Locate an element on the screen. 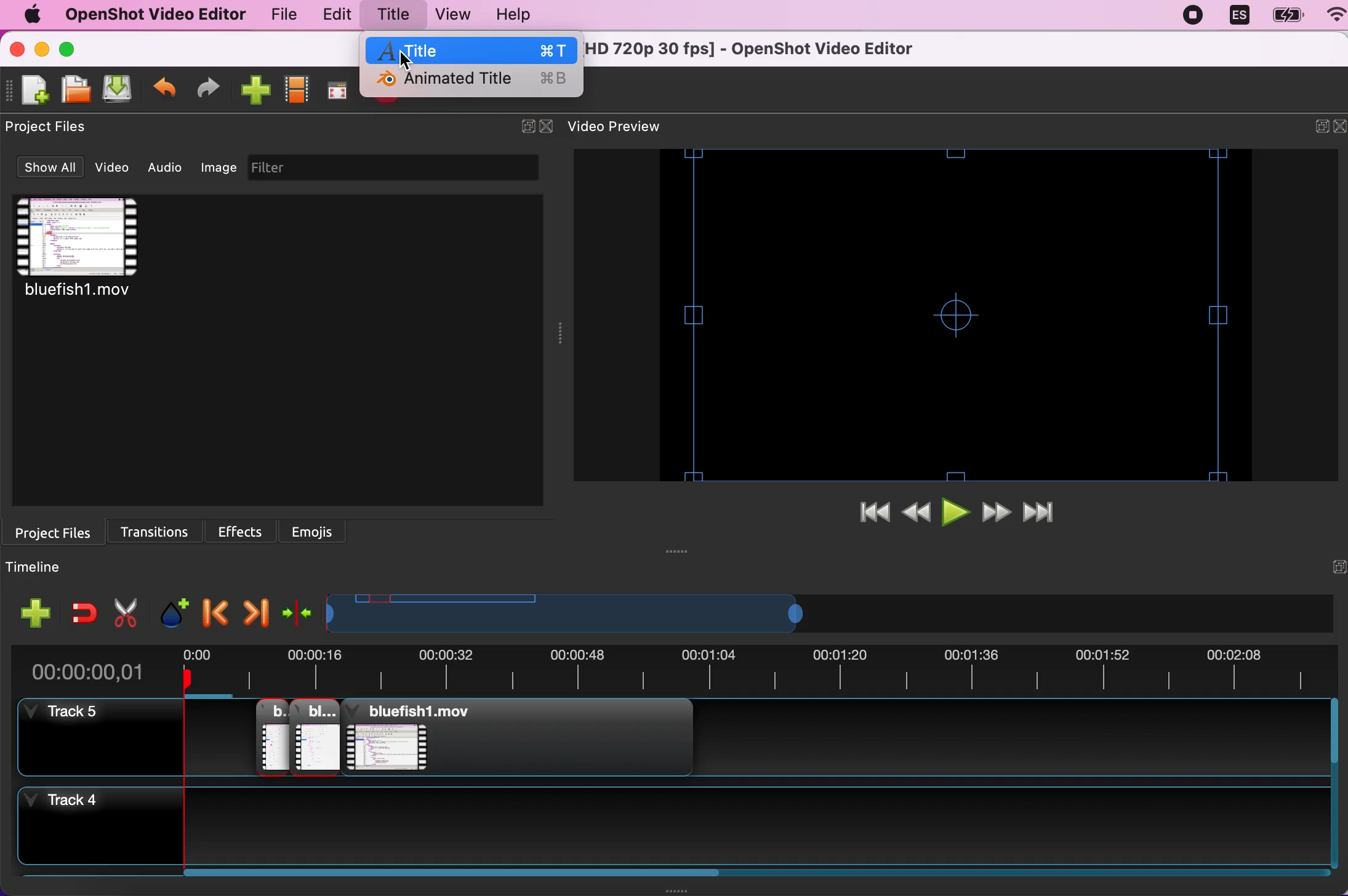  add marker is located at coordinates (173, 607).